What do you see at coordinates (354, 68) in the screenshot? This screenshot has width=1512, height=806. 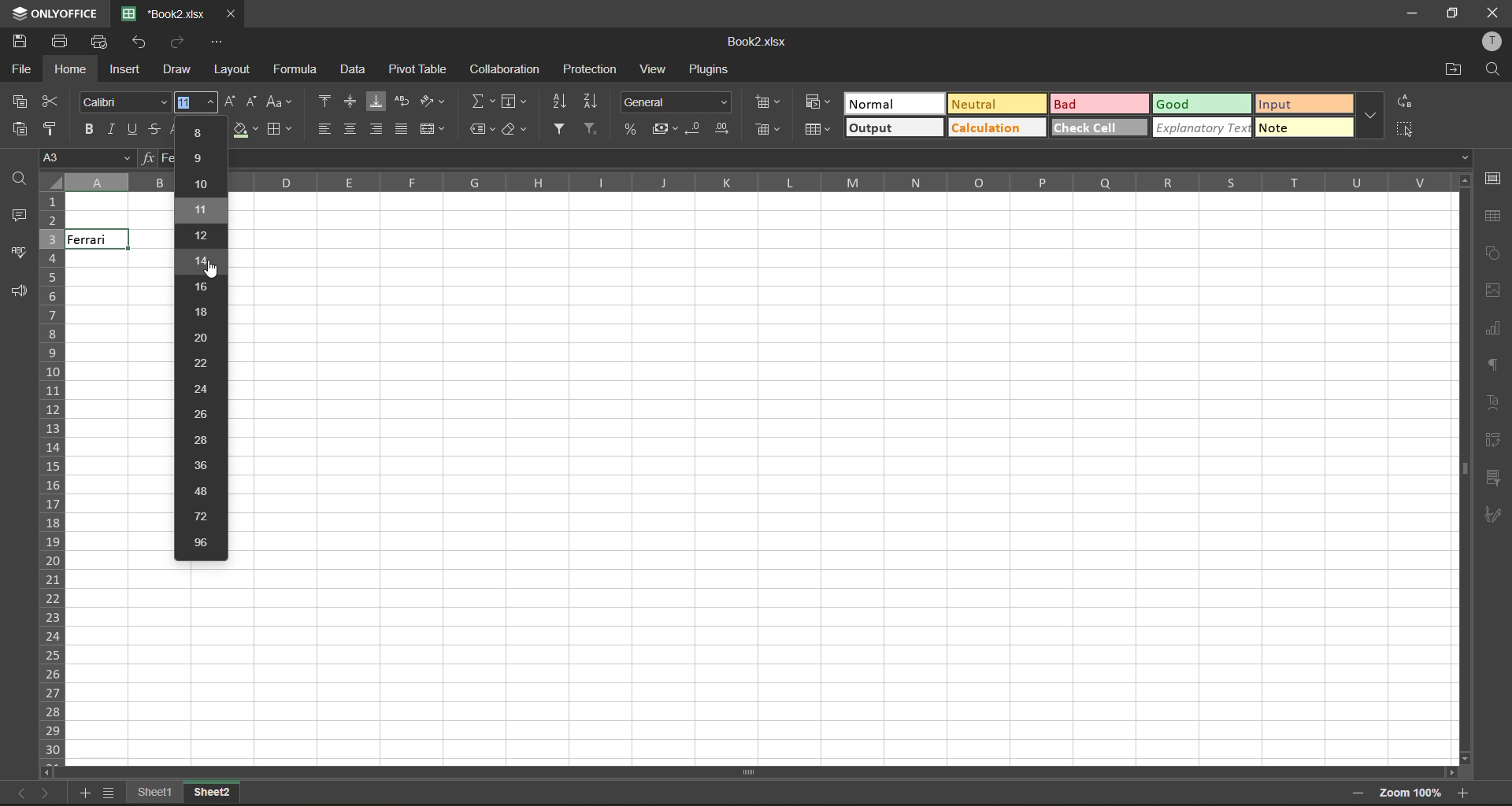 I see `data` at bounding box center [354, 68].